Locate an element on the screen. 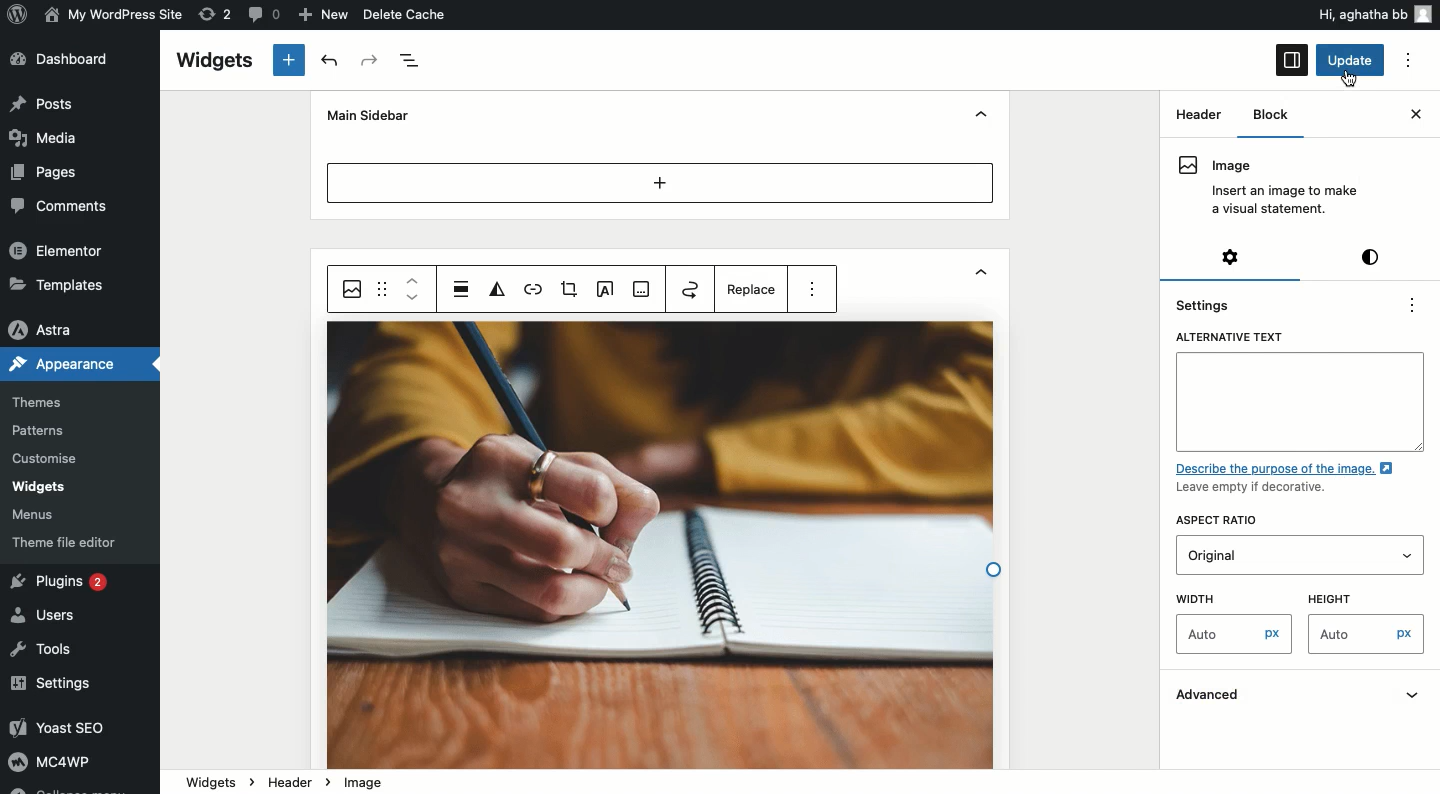 This screenshot has height=794, width=1440. Options is located at coordinates (1408, 61).